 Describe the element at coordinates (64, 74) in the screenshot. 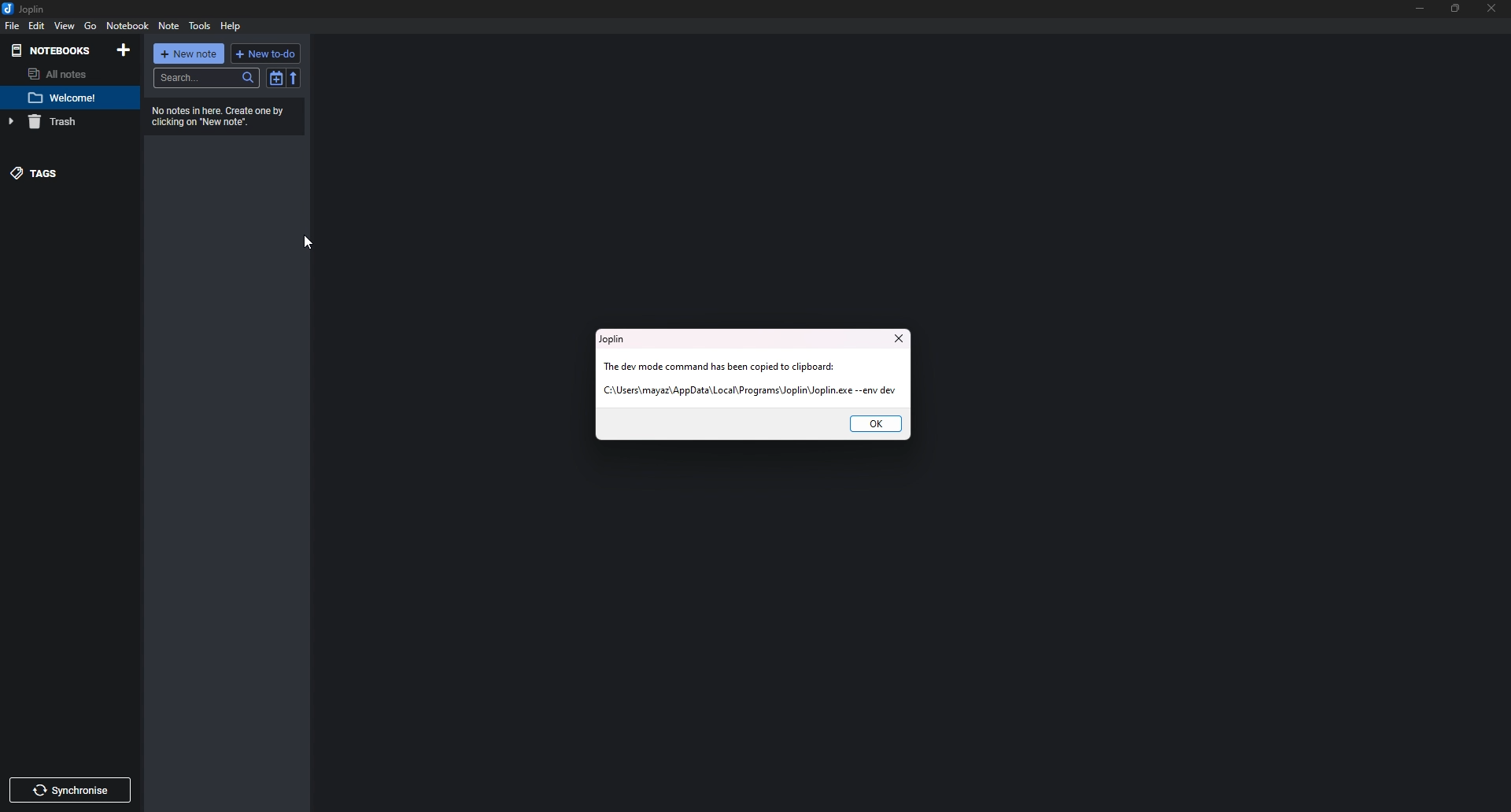

I see `All notes` at that location.